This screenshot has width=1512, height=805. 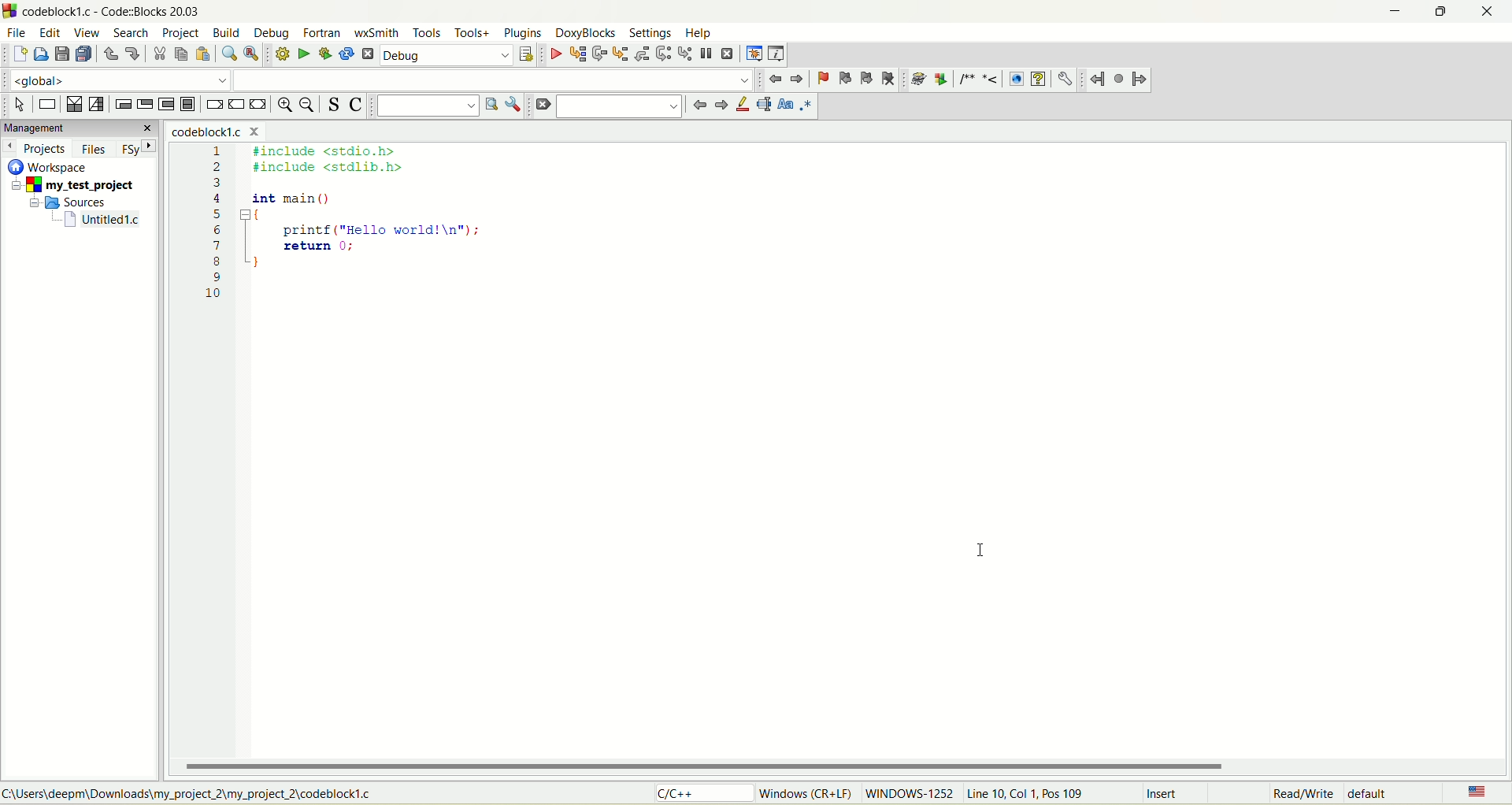 I want to click on stop debugger, so click(x=728, y=54).